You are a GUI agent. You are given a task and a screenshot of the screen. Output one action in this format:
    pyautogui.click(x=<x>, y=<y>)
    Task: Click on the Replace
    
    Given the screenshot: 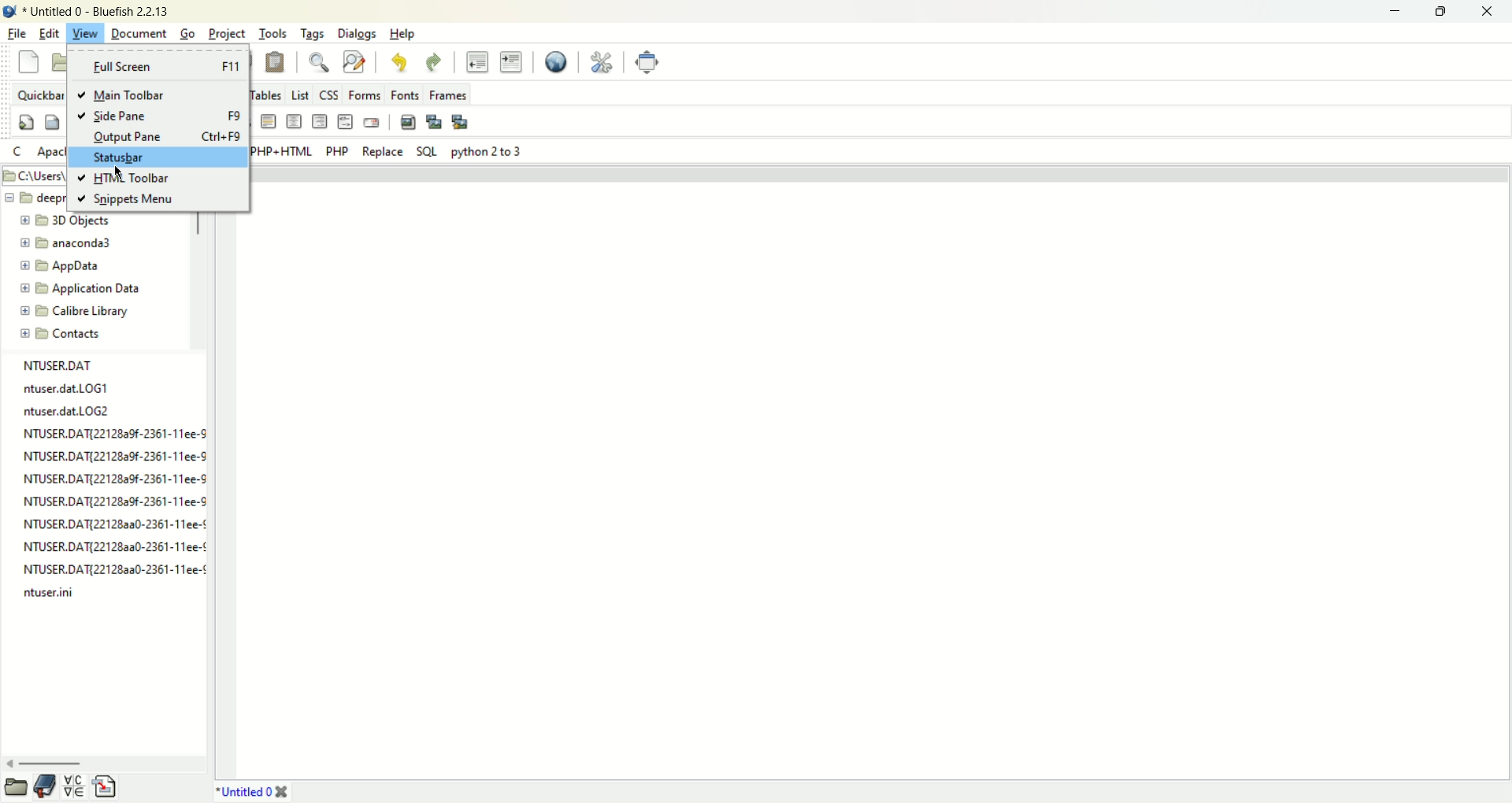 What is the action you would take?
    pyautogui.click(x=383, y=154)
    